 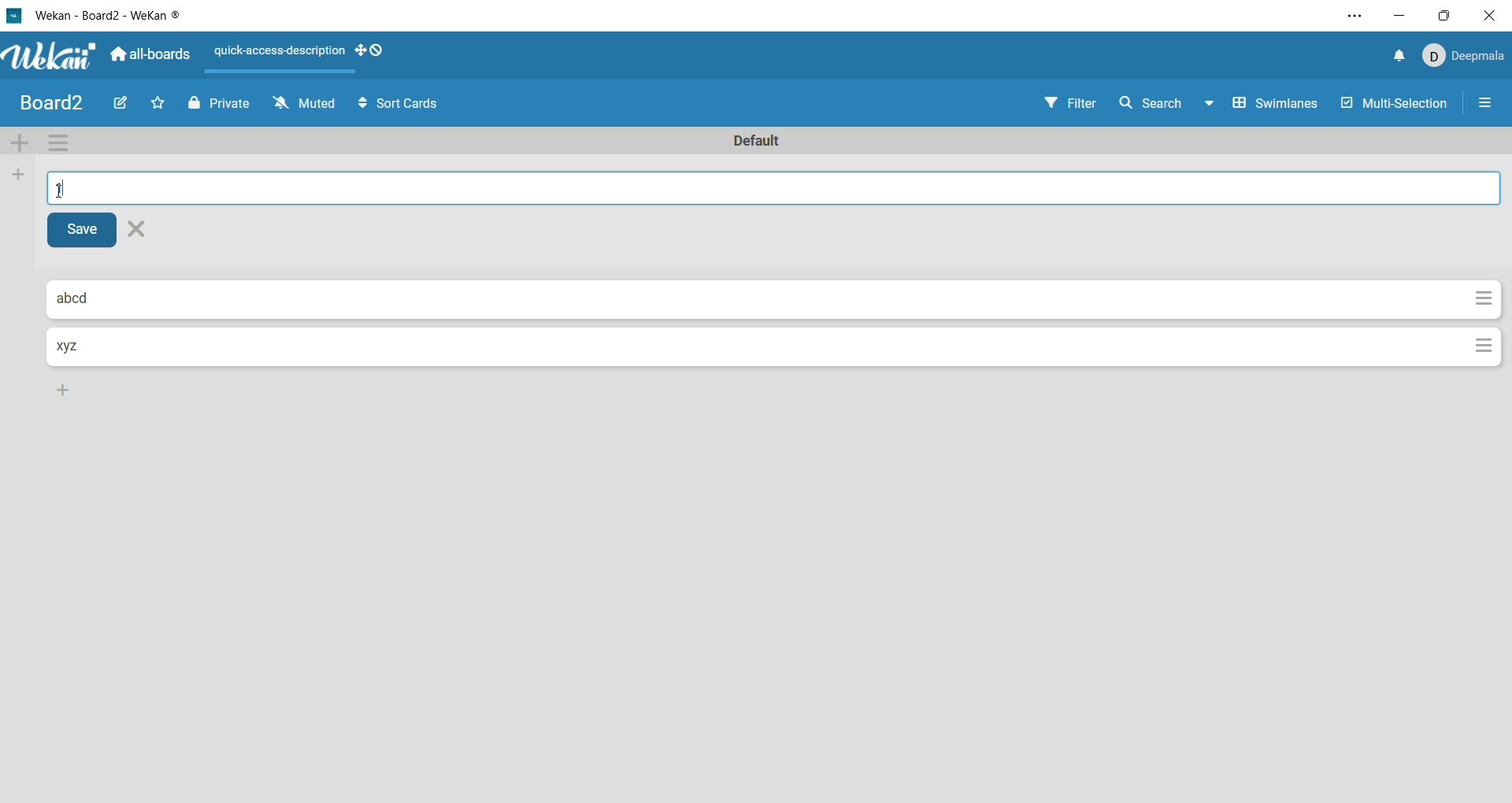 I want to click on minimize, so click(x=1401, y=13).